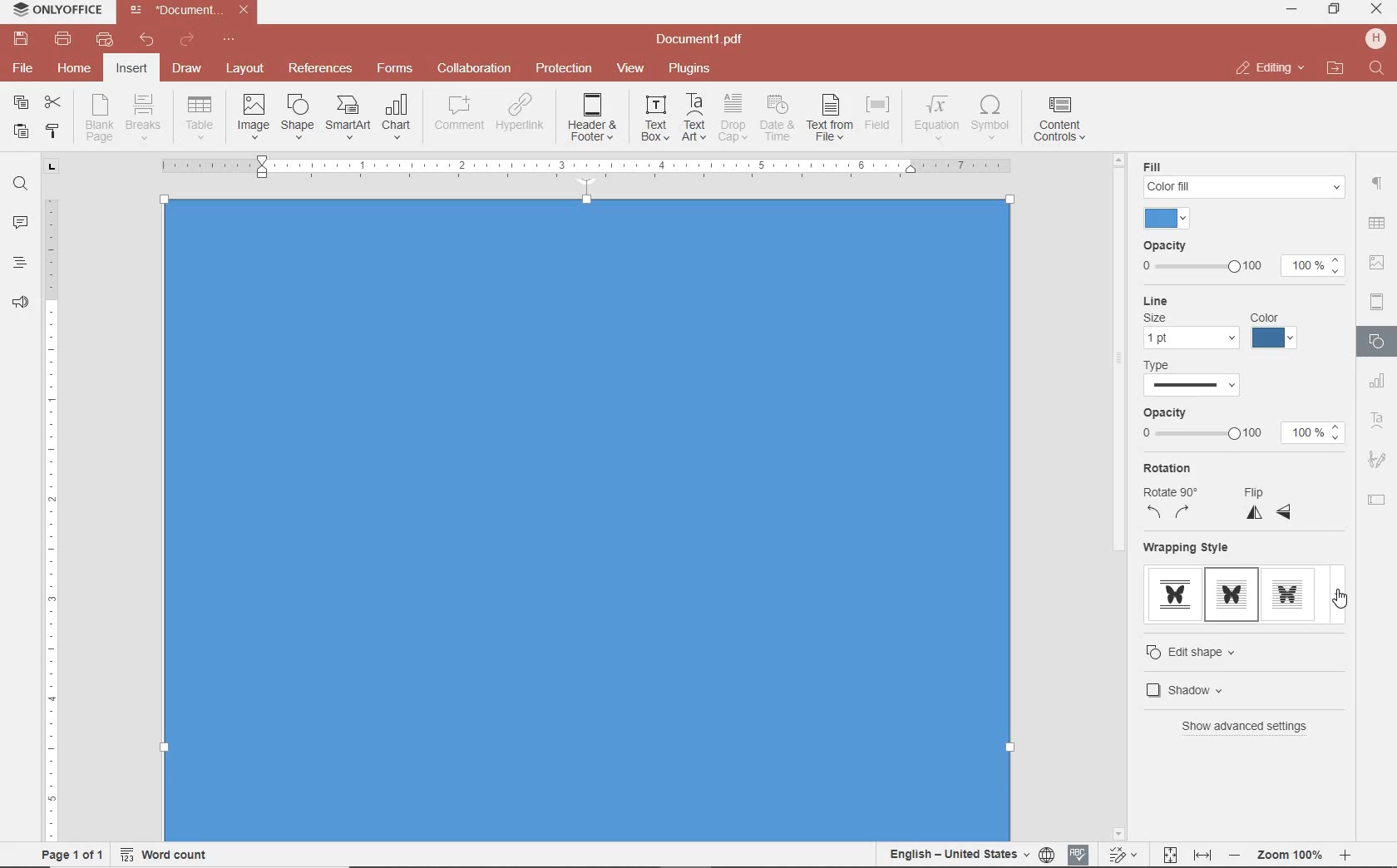  What do you see at coordinates (52, 165) in the screenshot?
I see `tab stop` at bounding box center [52, 165].